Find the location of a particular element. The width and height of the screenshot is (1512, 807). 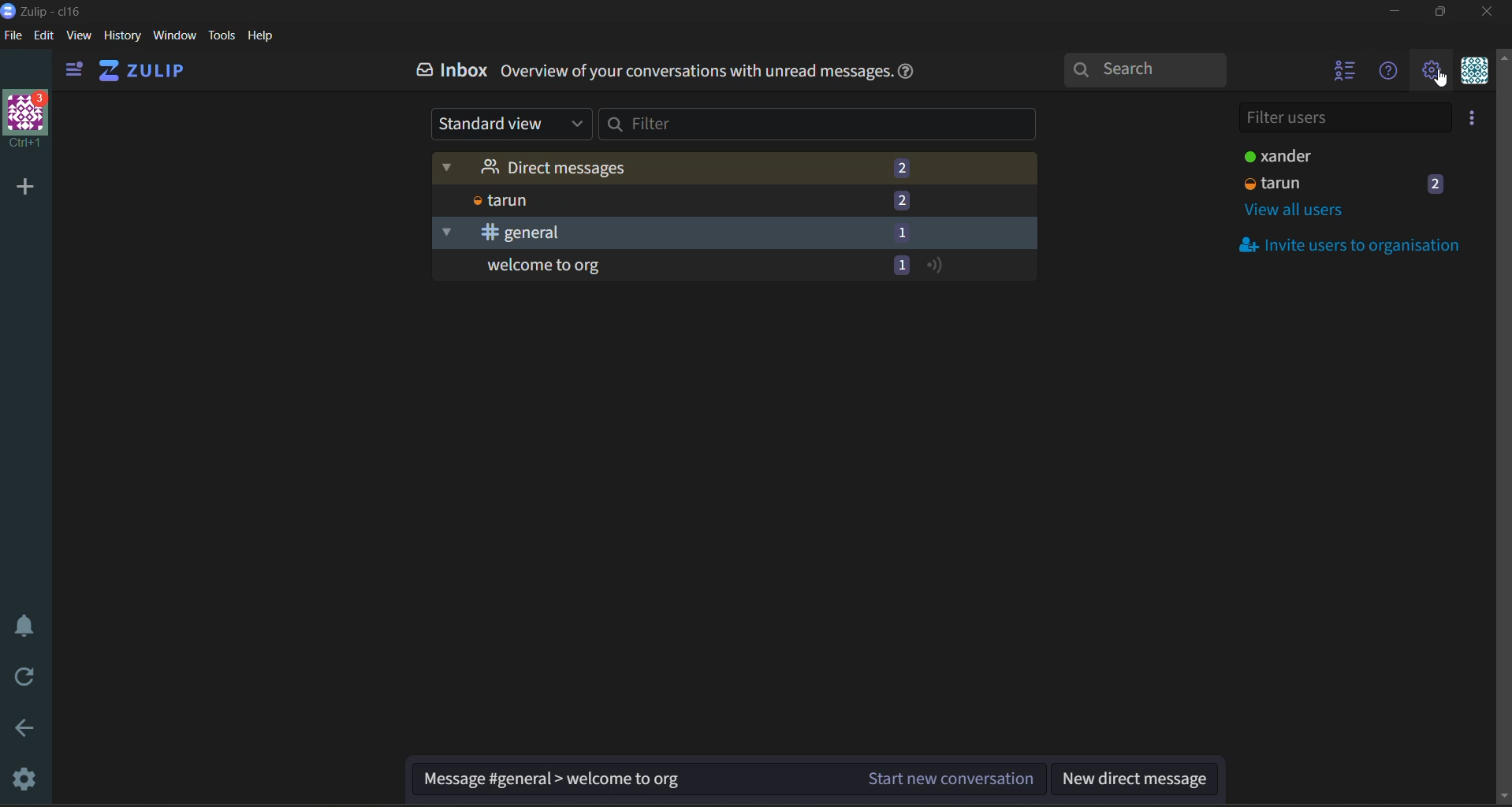

tools is located at coordinates (222, 35).